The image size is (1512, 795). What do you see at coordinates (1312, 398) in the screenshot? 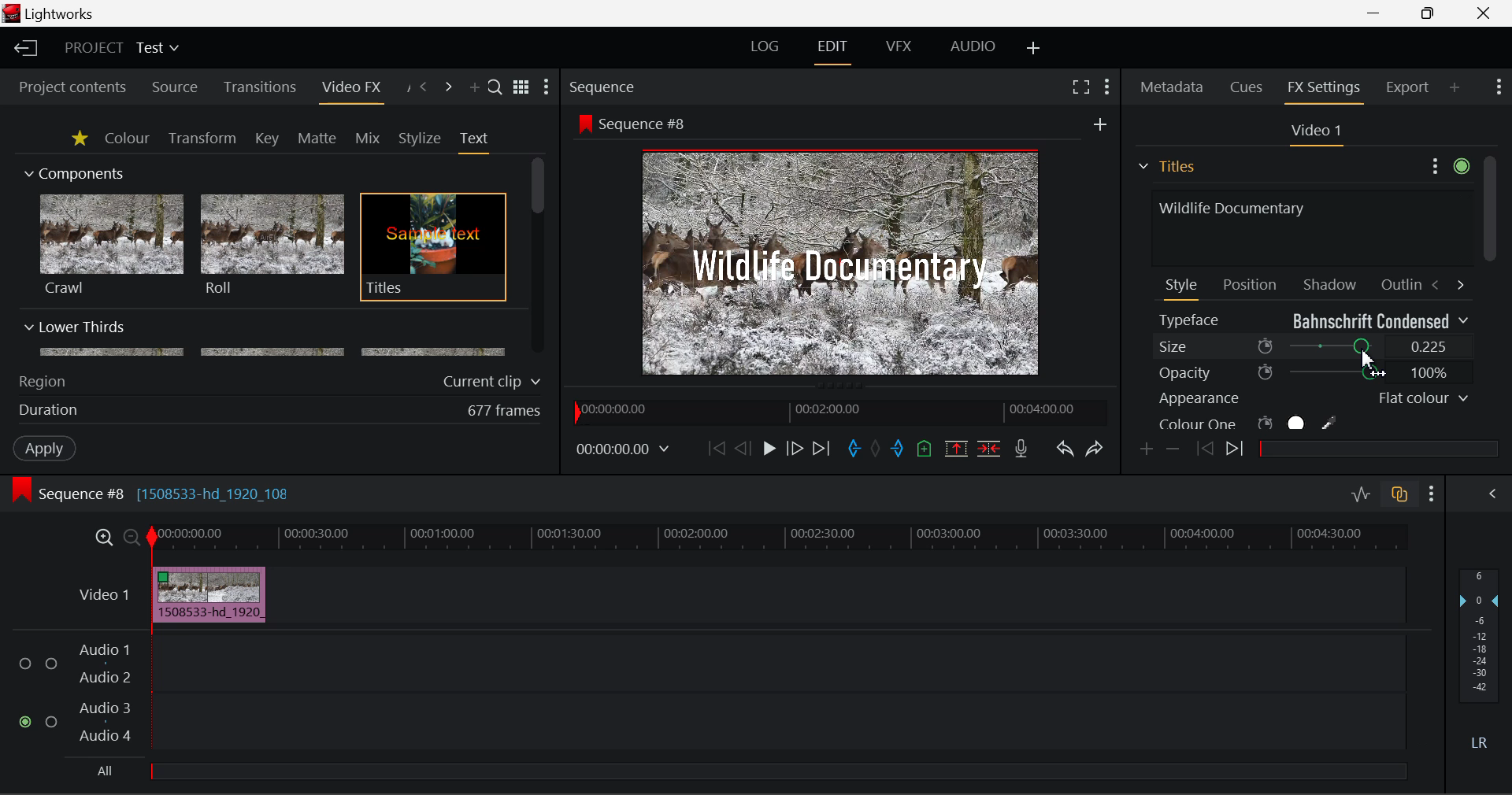
I see `Appearance` at bounding box center [1312, 398].